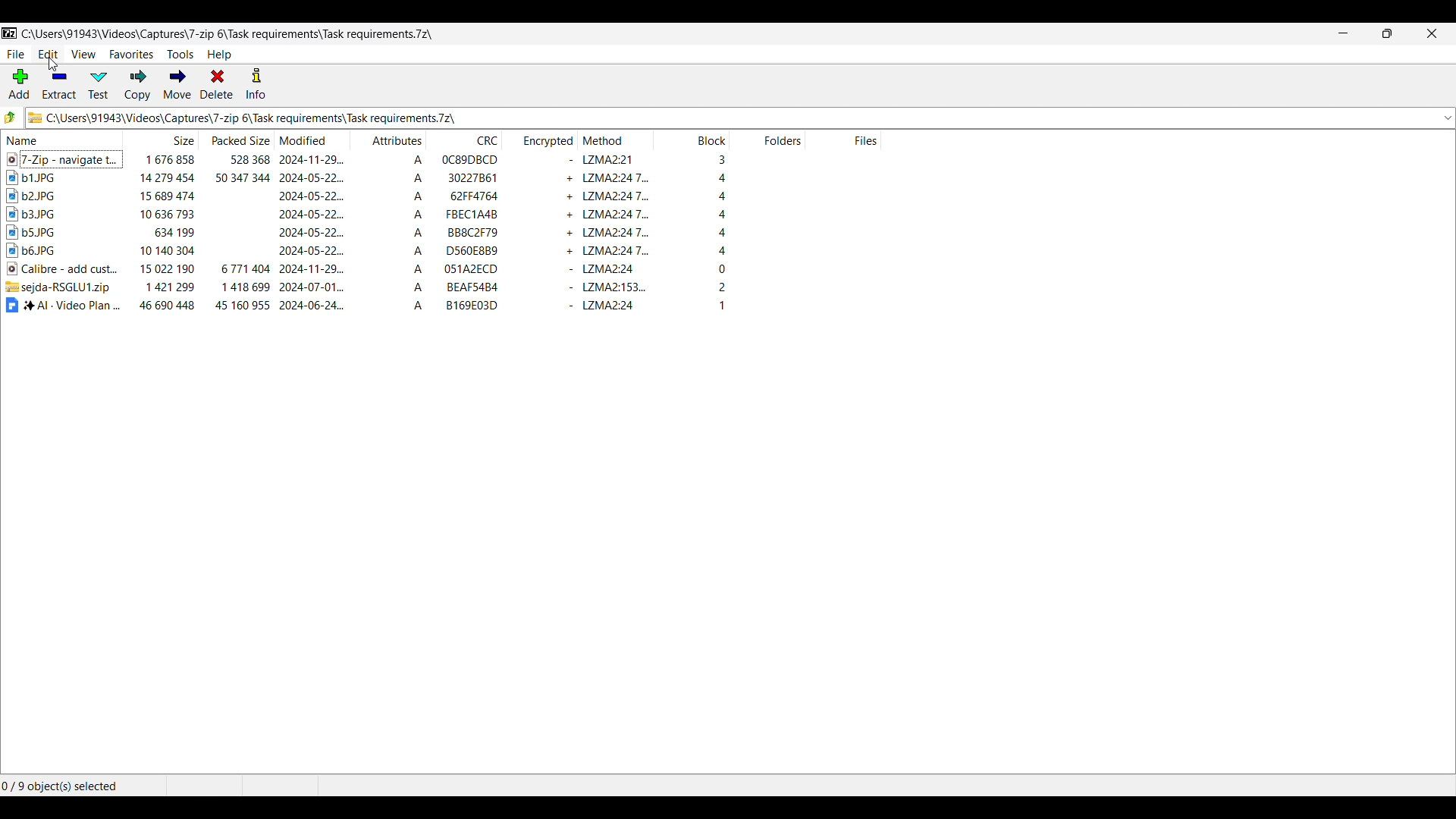  Describe the element at coordinates (843, 139) in the screenshot. I see `Files column` at that location.